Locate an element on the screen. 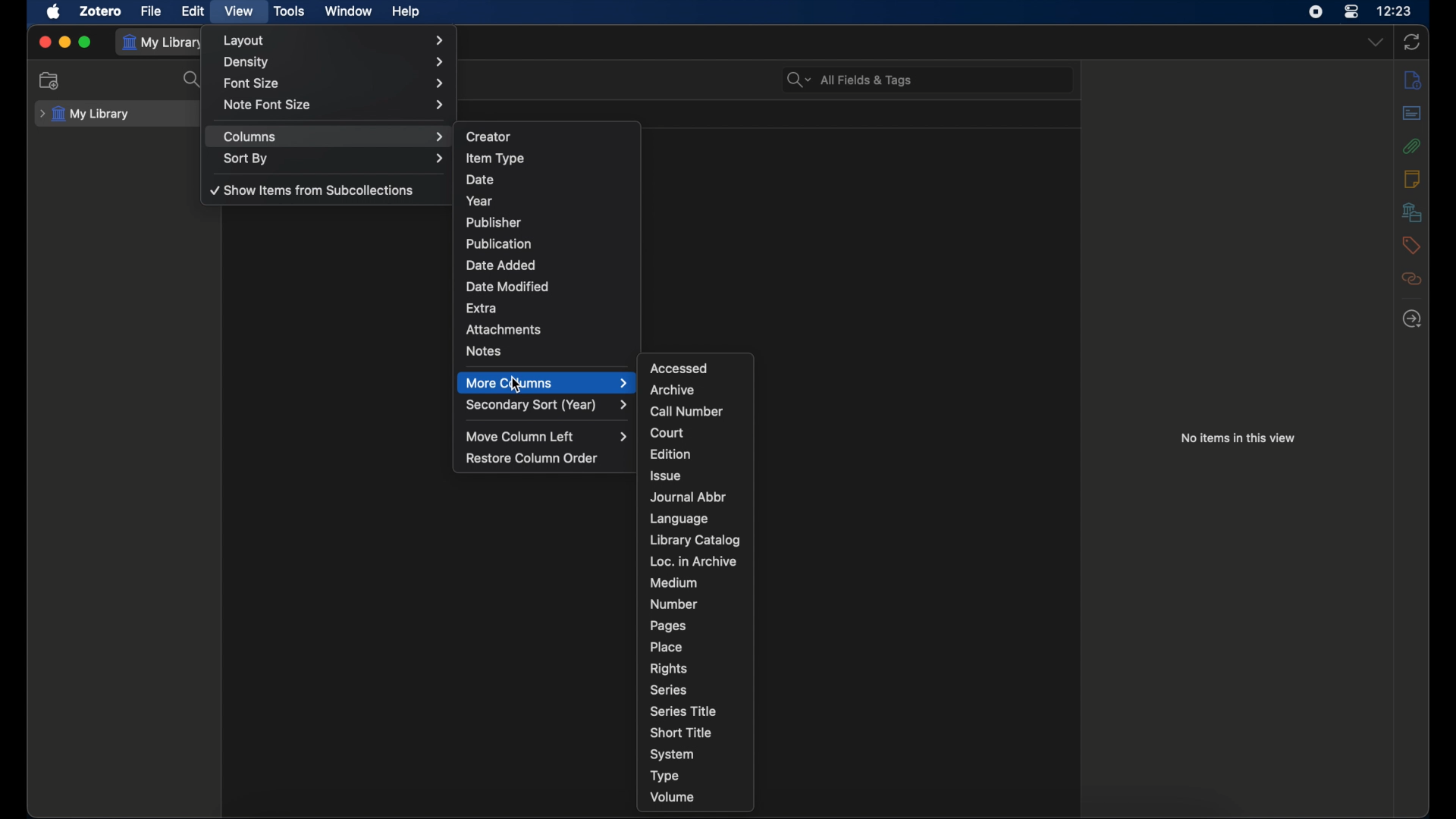 The height and width of the screenshot is (819, 1456). archive is located at coordinates (673, 391).